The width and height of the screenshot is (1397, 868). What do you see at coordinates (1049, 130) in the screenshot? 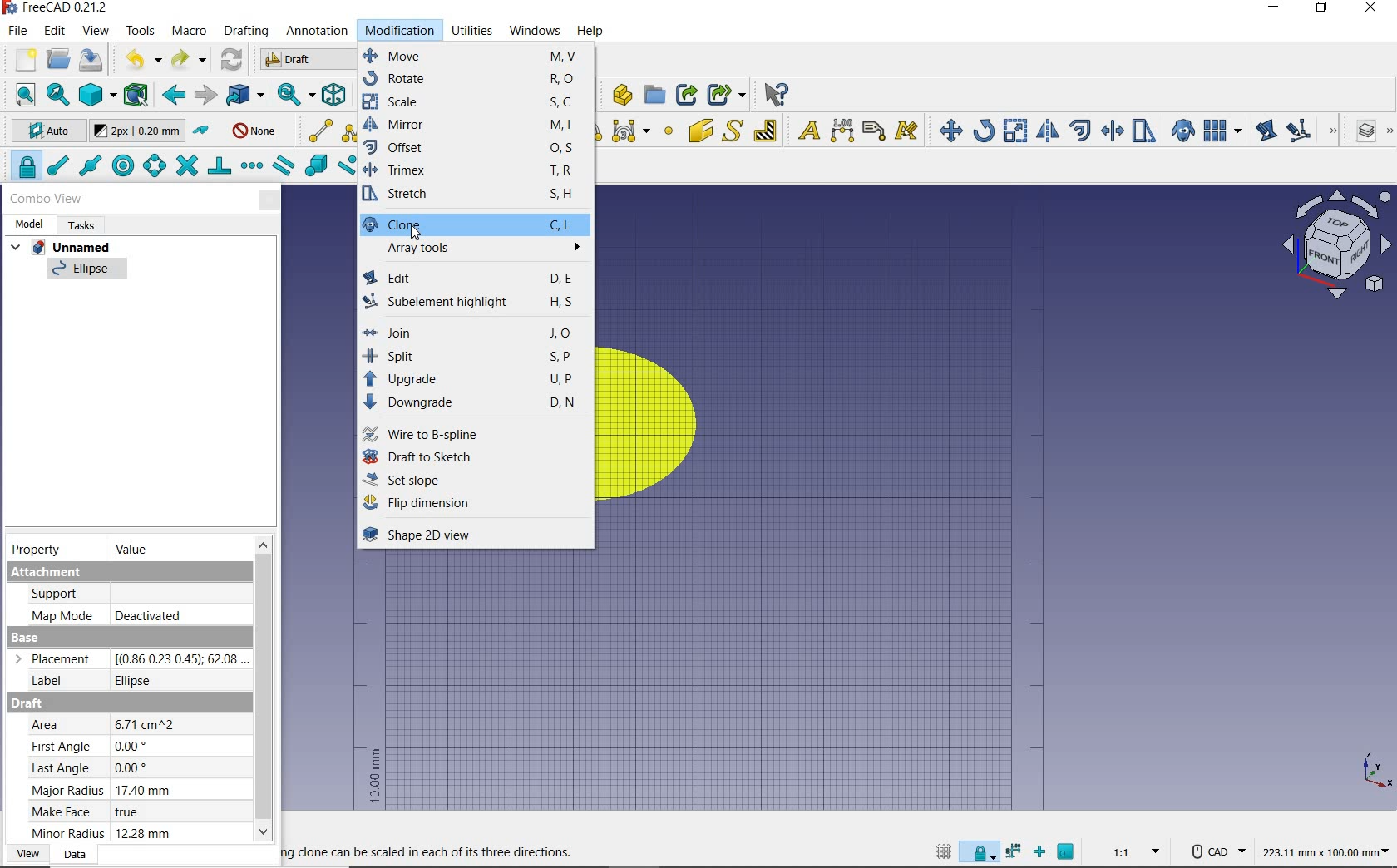
I see `mirror` at bounding box center [1049, 130].